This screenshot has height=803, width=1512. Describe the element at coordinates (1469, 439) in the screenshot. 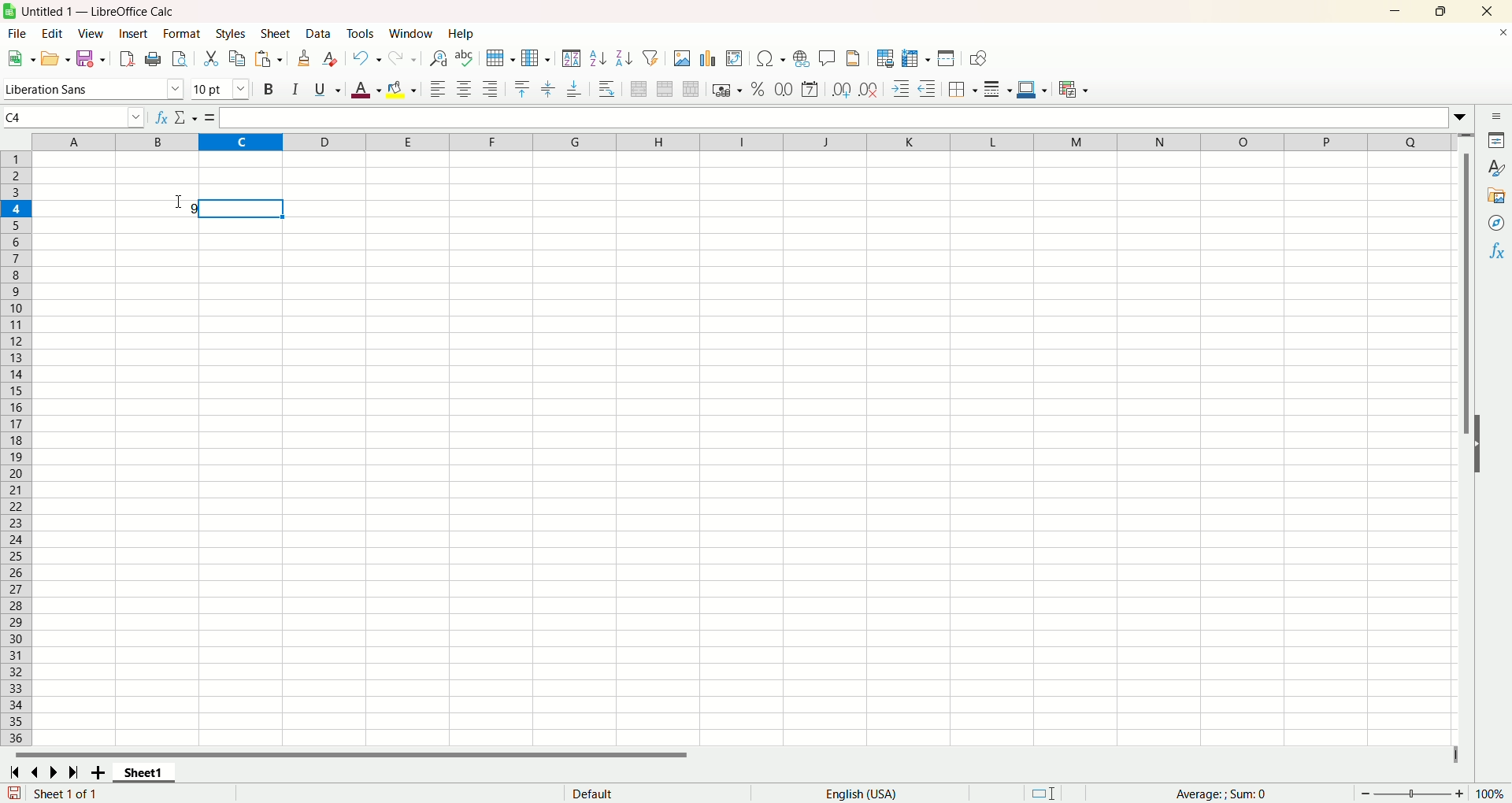

I see `vertical scroll bar` at that location.